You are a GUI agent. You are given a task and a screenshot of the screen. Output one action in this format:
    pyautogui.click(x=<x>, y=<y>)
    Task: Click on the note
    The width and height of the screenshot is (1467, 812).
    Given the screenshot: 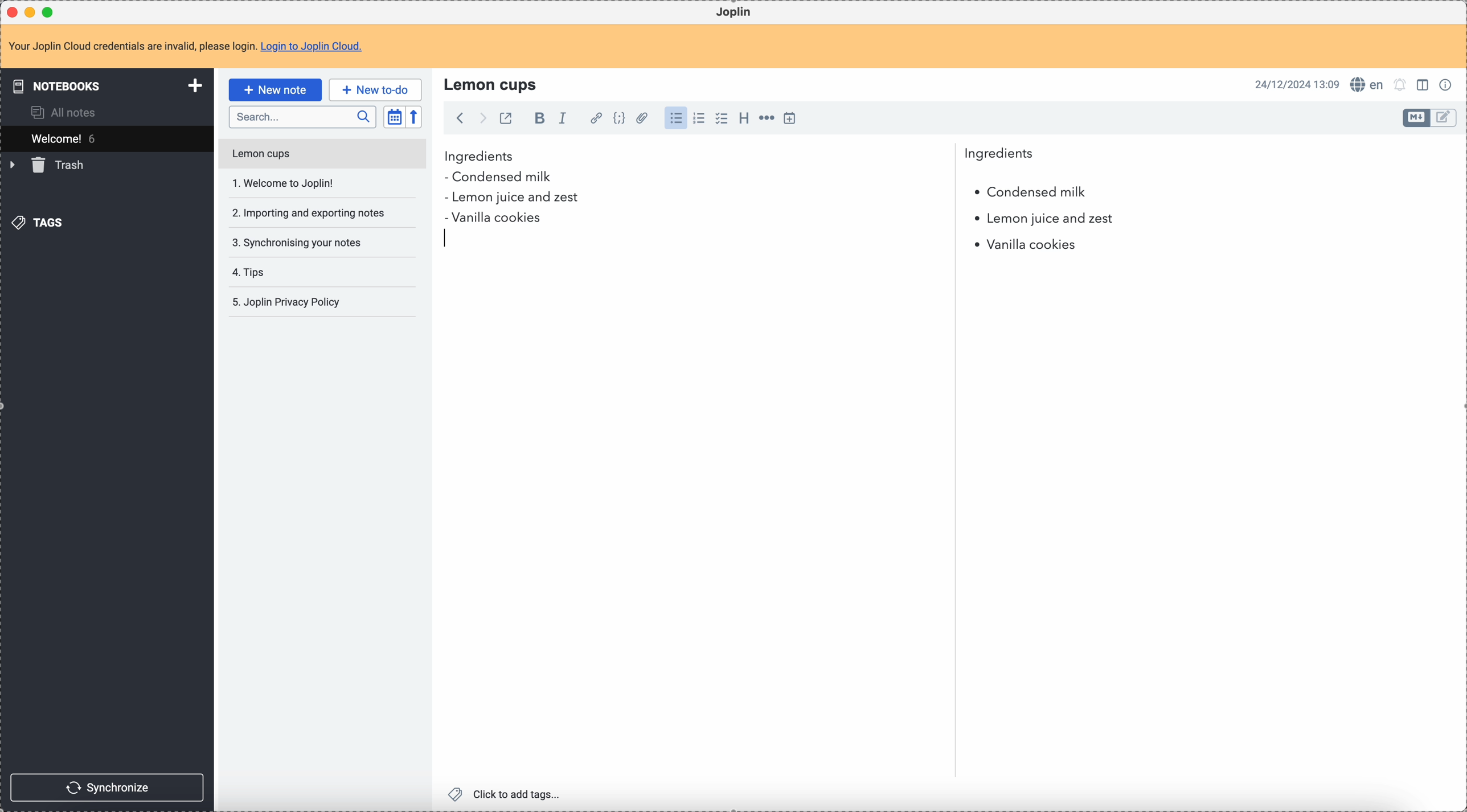 What is the action you would take?
    pyautogui.click(x=192, y=47)
    